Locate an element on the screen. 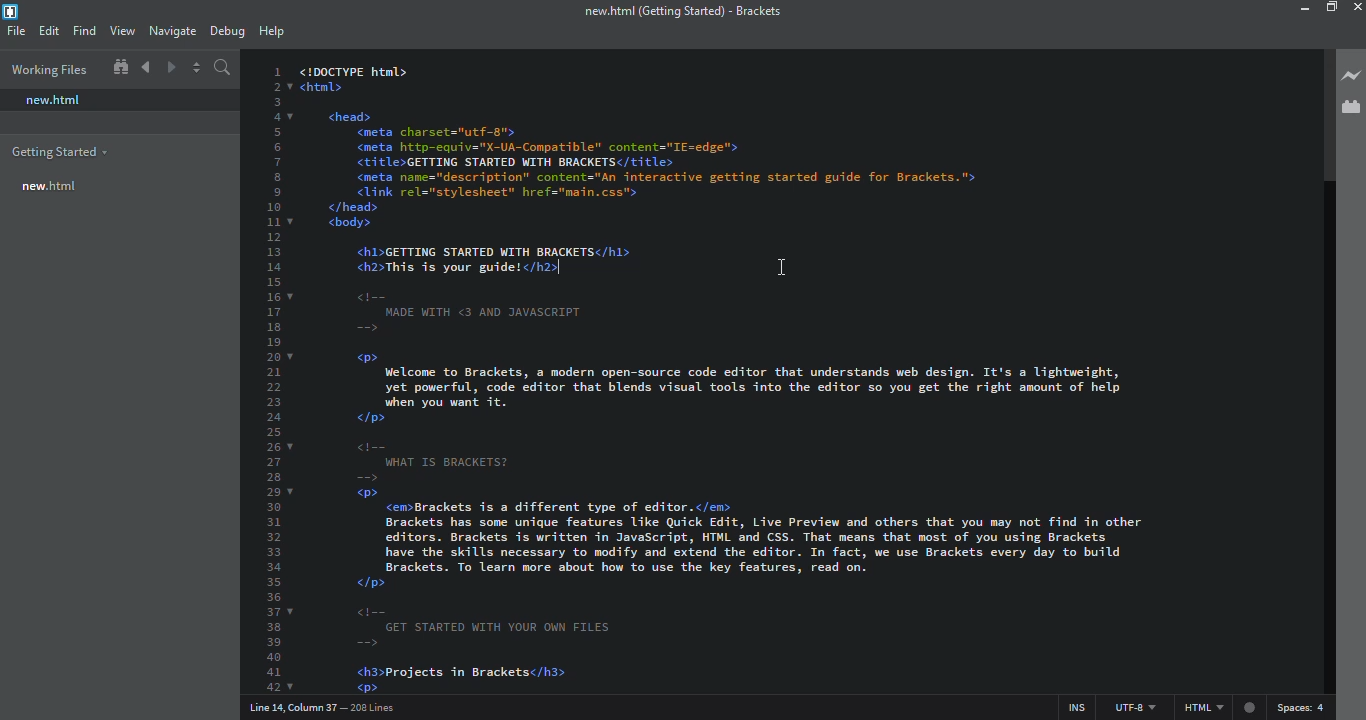  file is located at coordinates (16, 32).